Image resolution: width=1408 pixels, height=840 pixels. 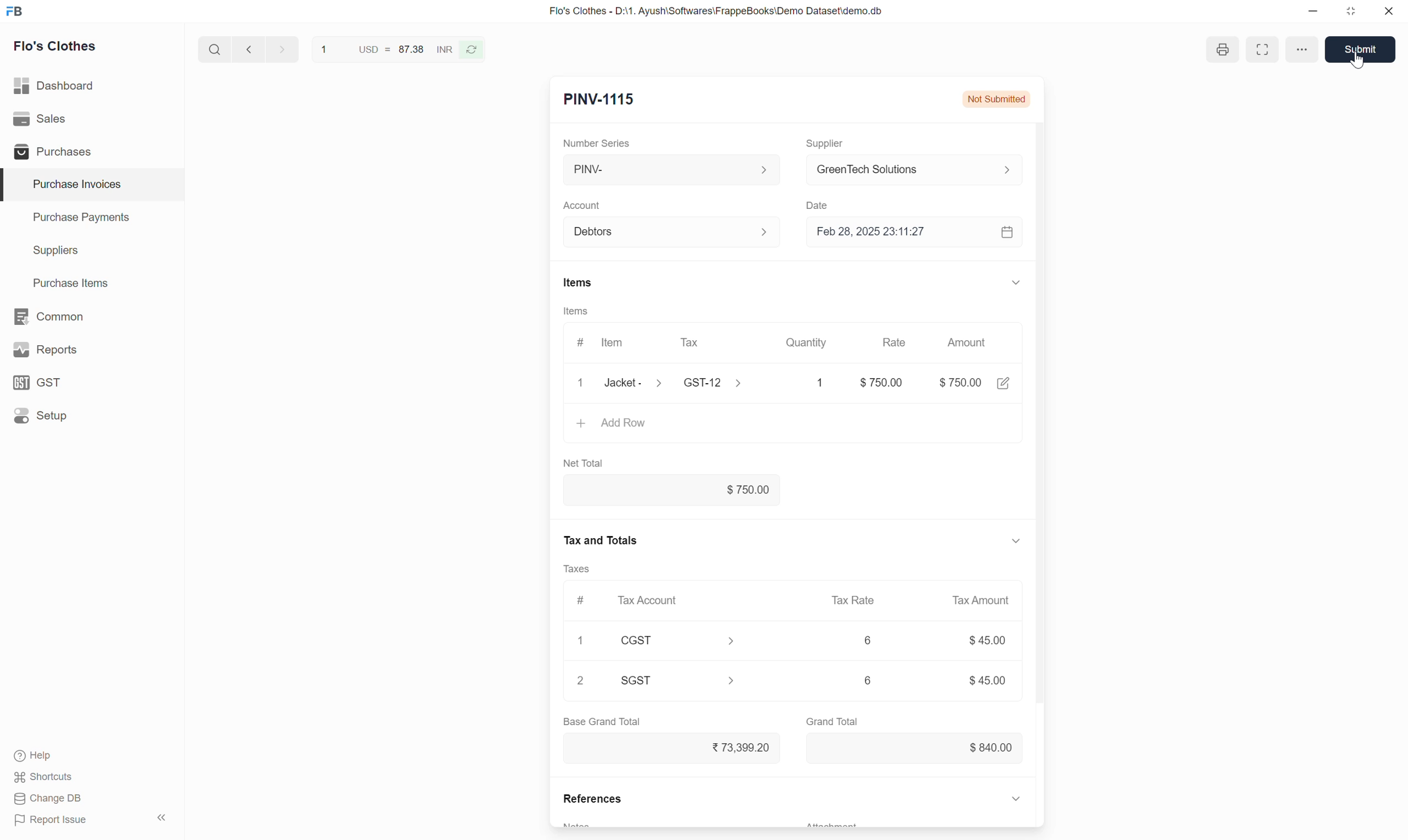 I want to click on Collapse, so click(x=1017, y=282).